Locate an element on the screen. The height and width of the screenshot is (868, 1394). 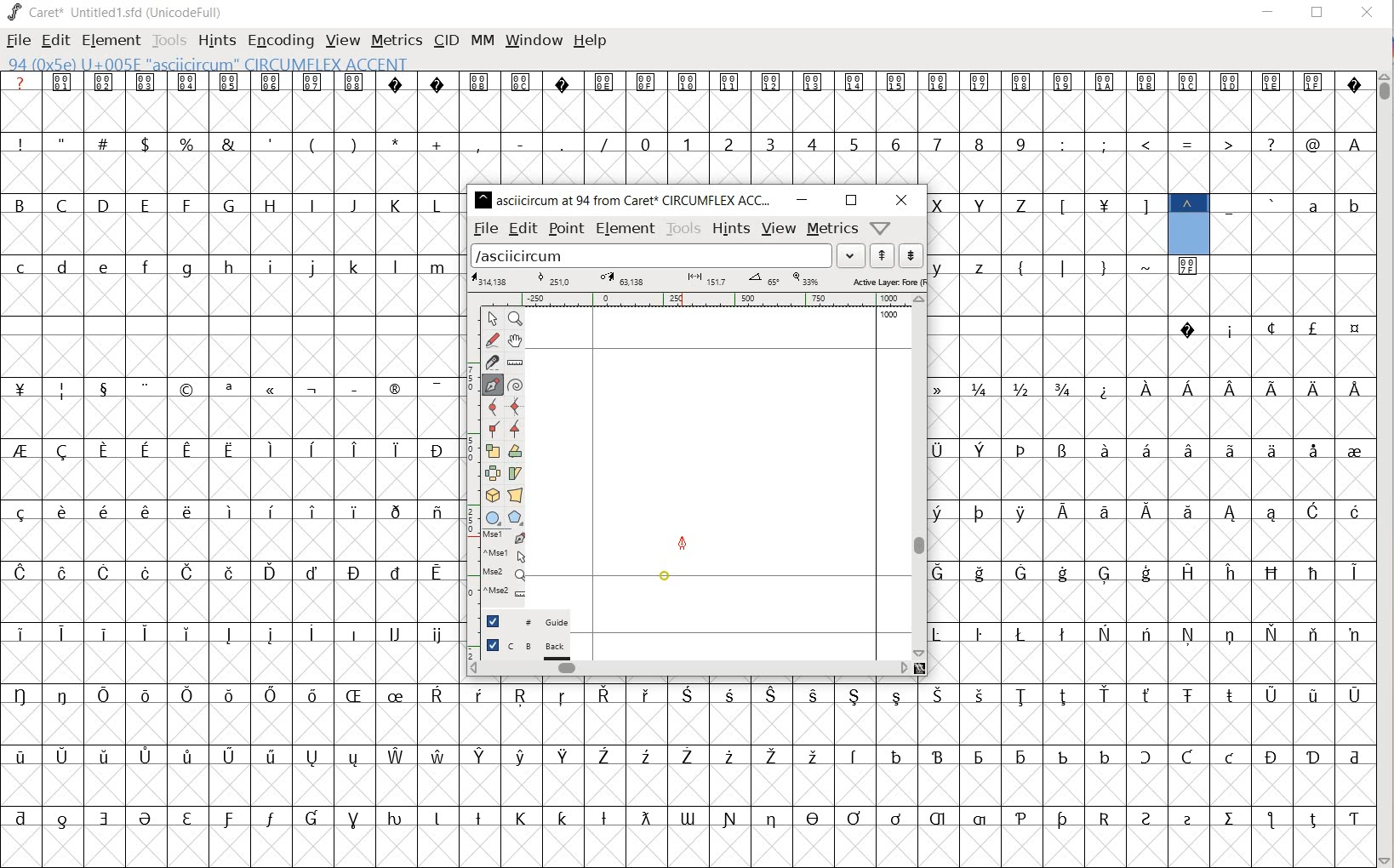
mse1 mse1 mse2 mse2 is located at coordinates (498, 565).